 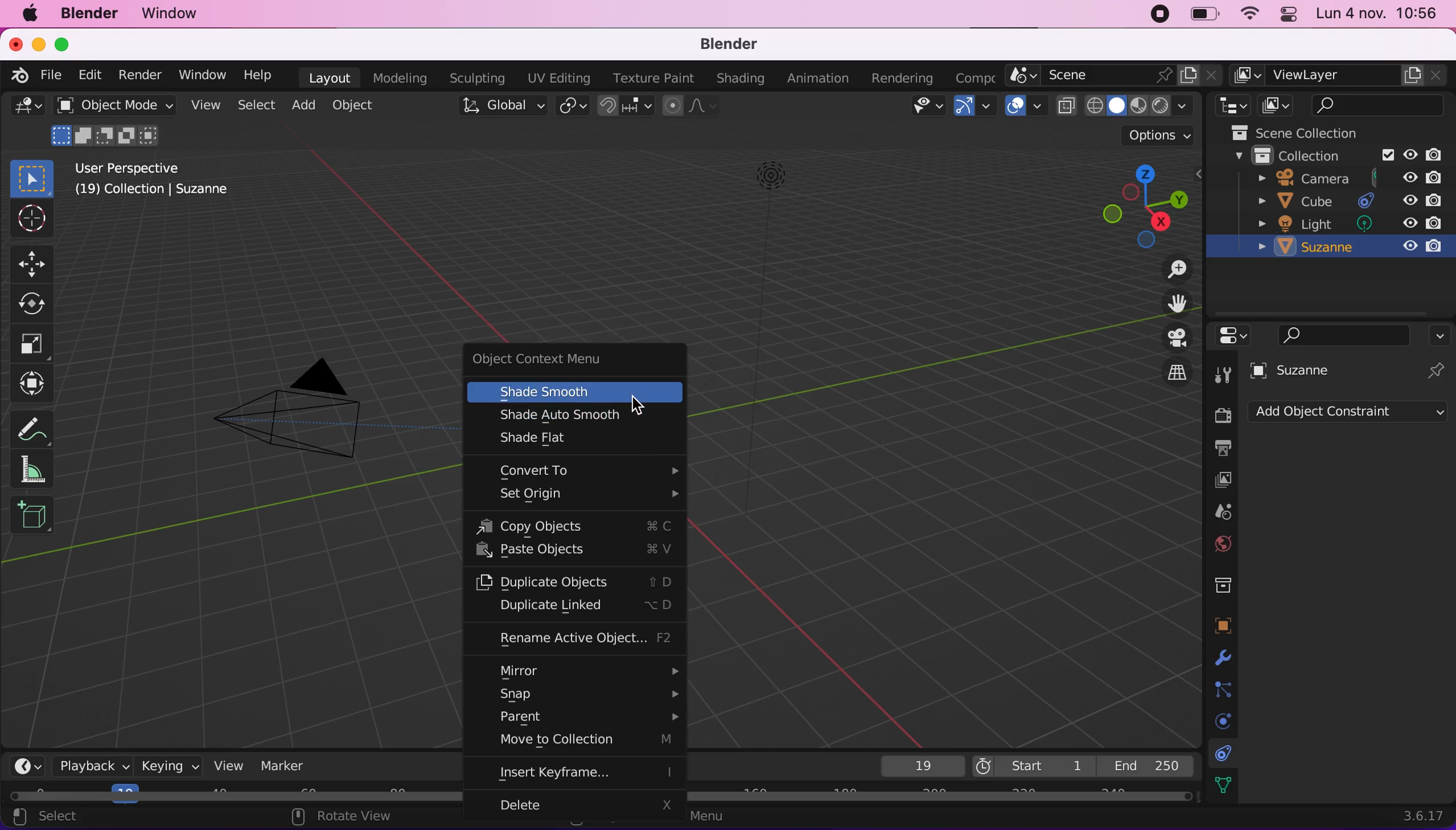 What do you see at coordinates (328, 77) in the screenshot?
I see `layout` at bounding box center [328, 77].